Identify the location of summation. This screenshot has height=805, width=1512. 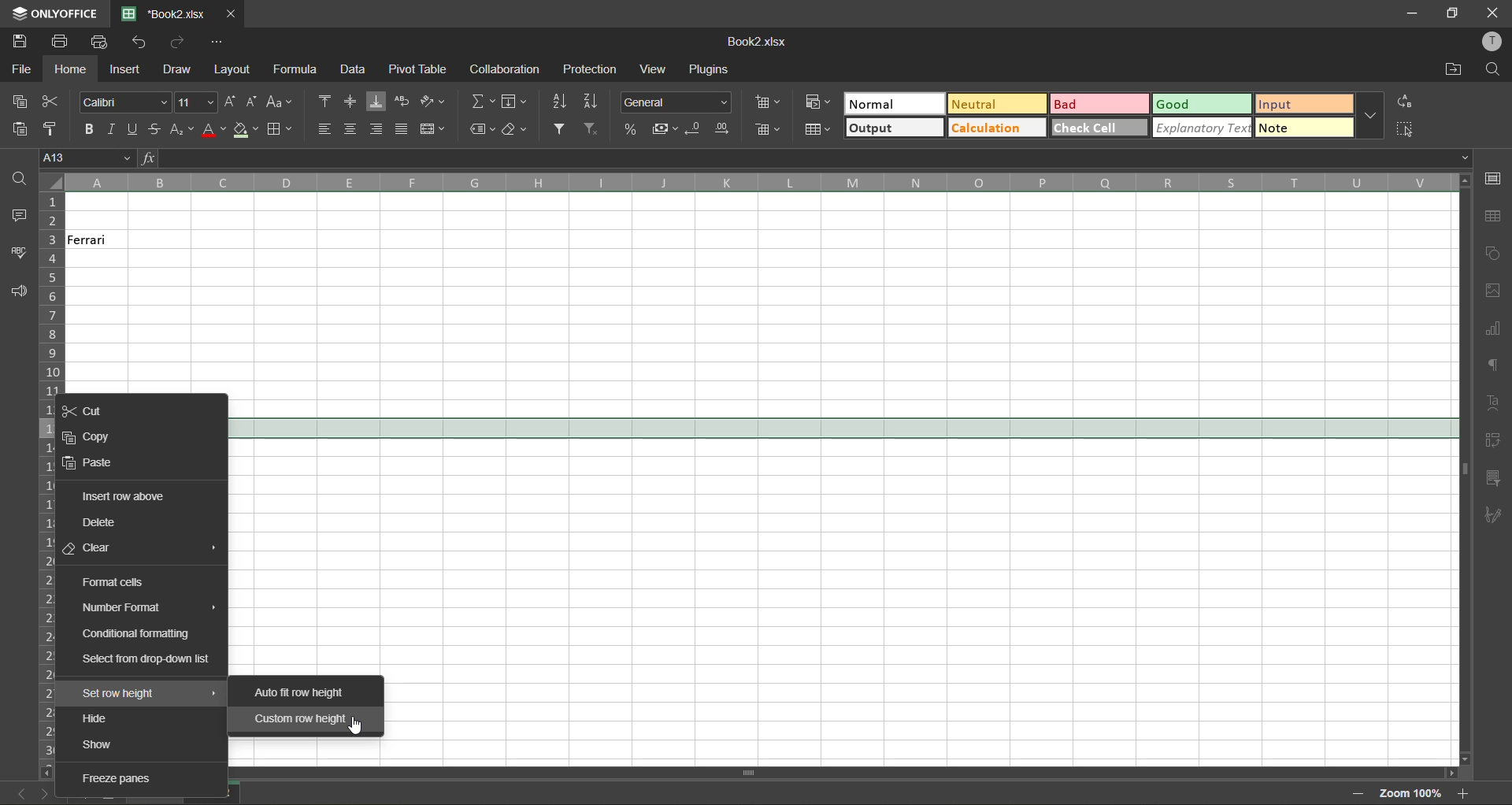
(482, 101).